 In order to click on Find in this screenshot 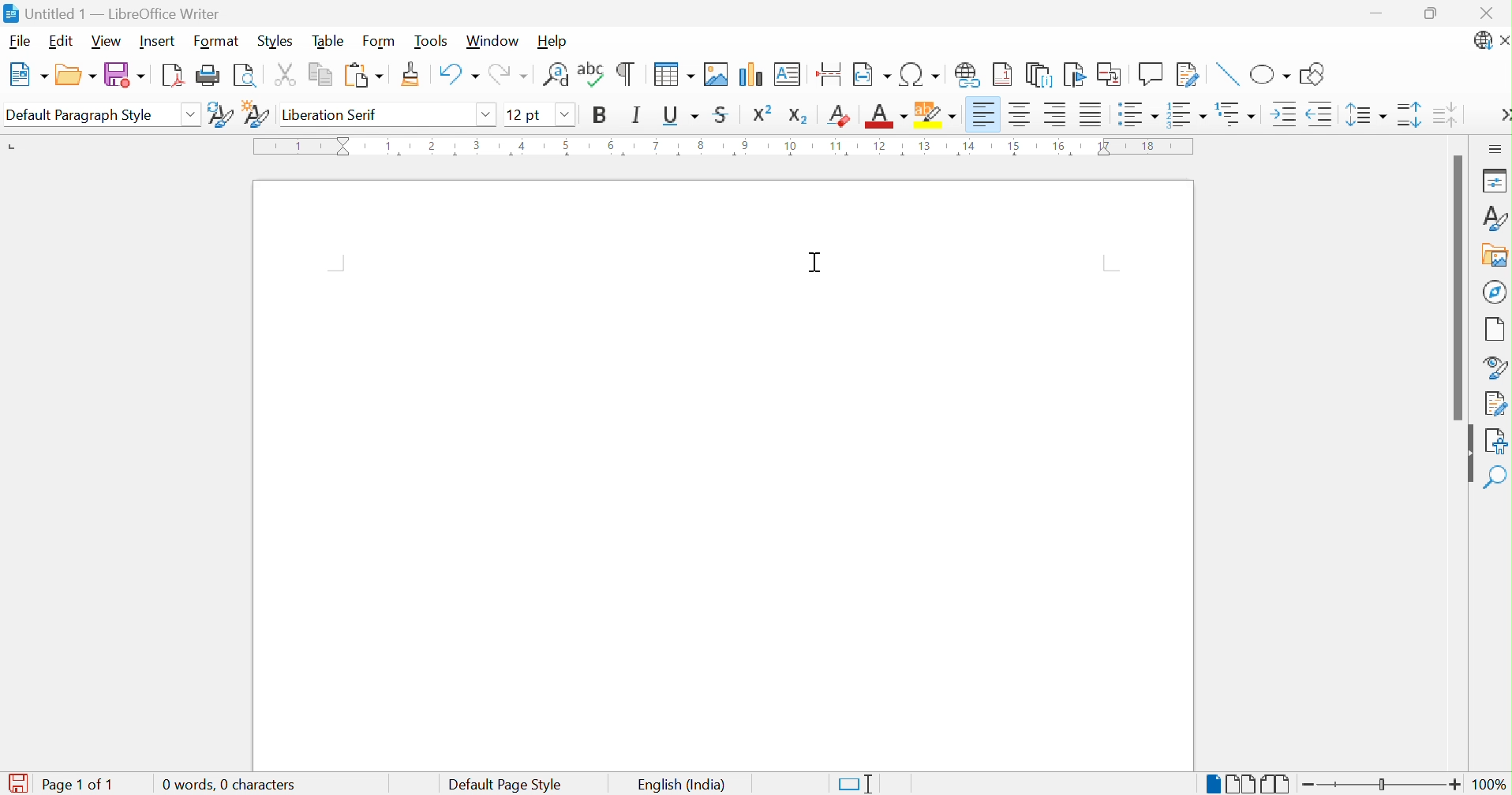, I will do `click(1495, 476)`.